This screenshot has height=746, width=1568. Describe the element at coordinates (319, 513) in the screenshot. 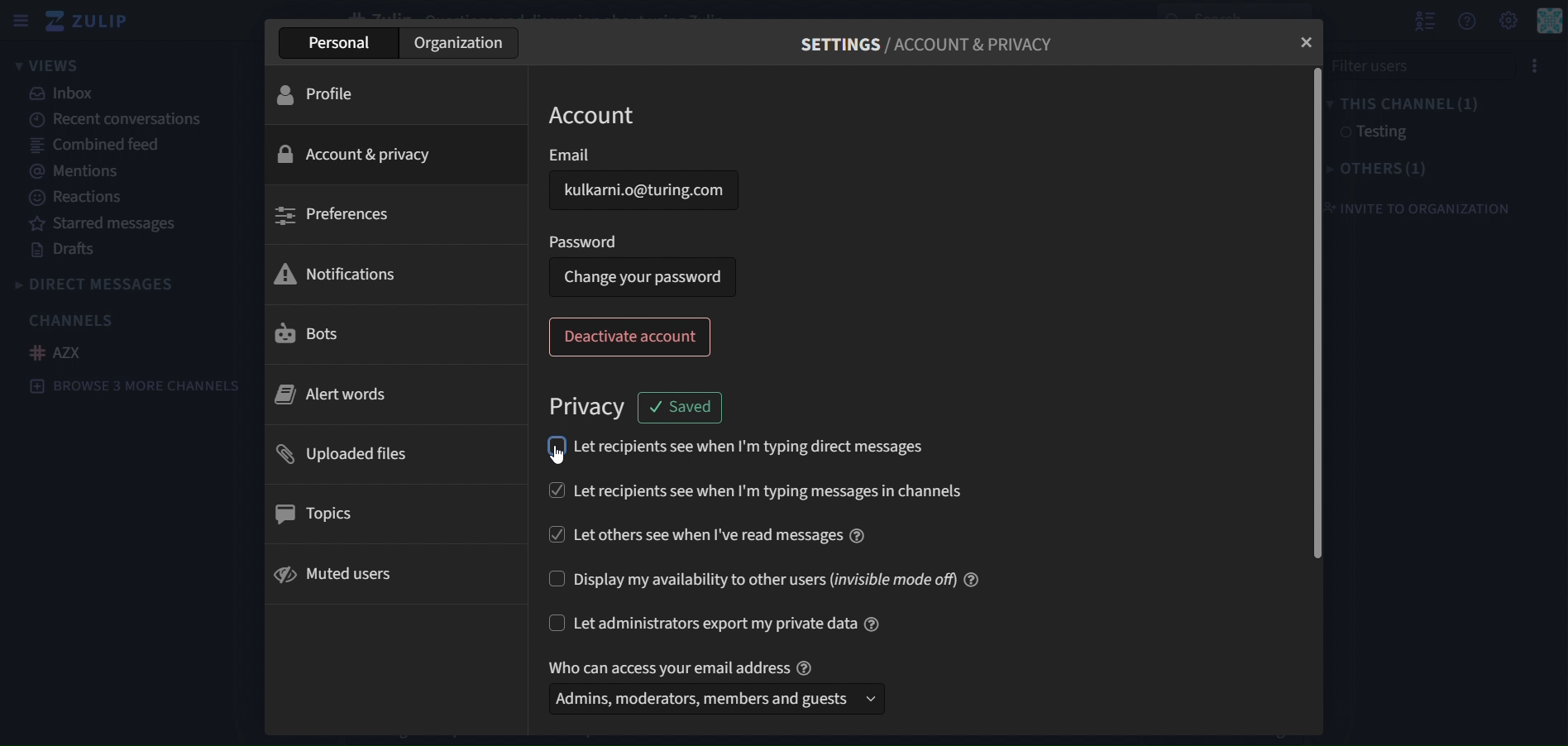

I see `topics` at that location.